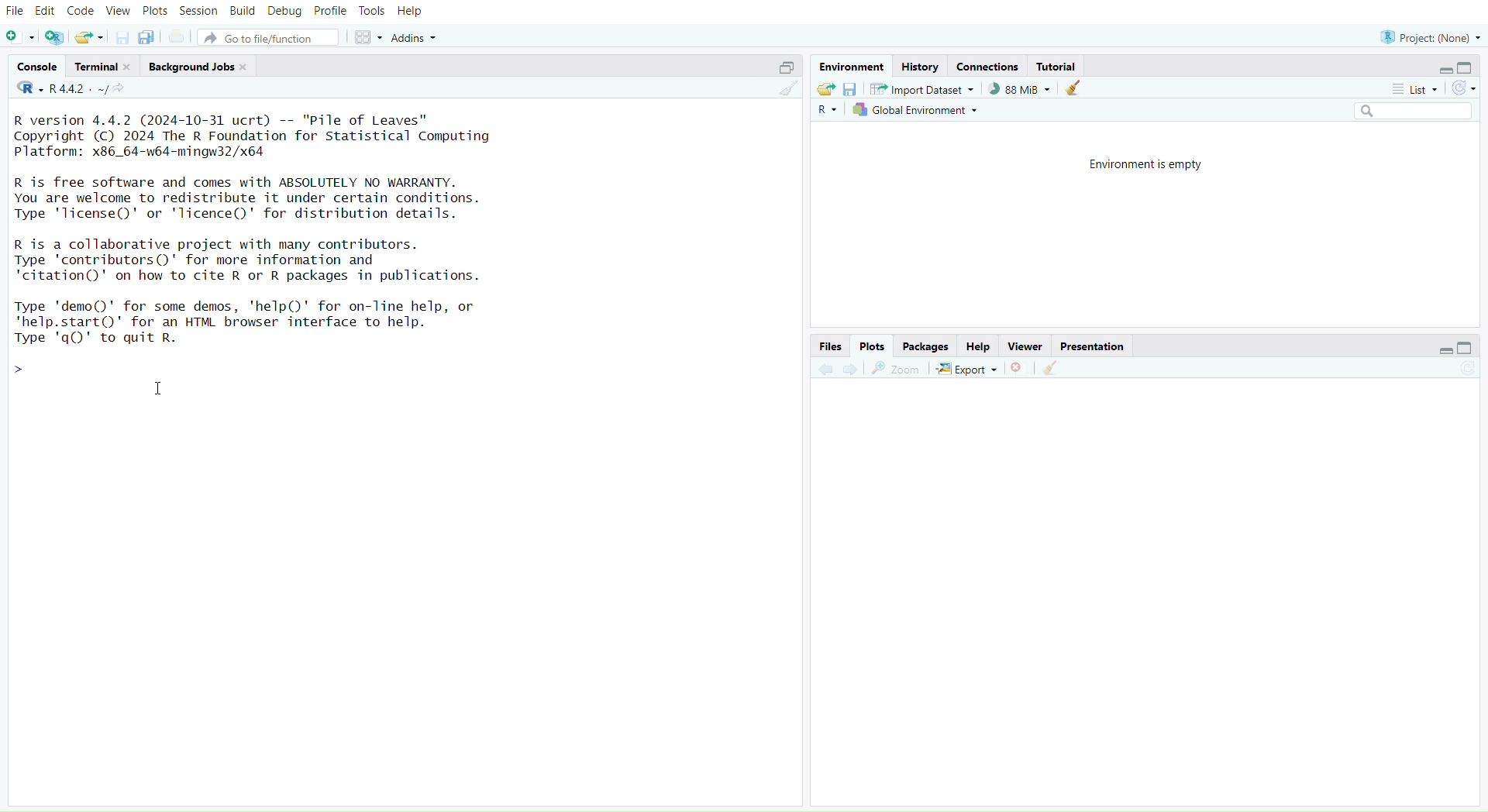 This screenshot has width=1488, height=812. What do you see at coordinates (1055, 369) in the screenshot?
I see `clear all plot` at bounding box center [1055, 369].